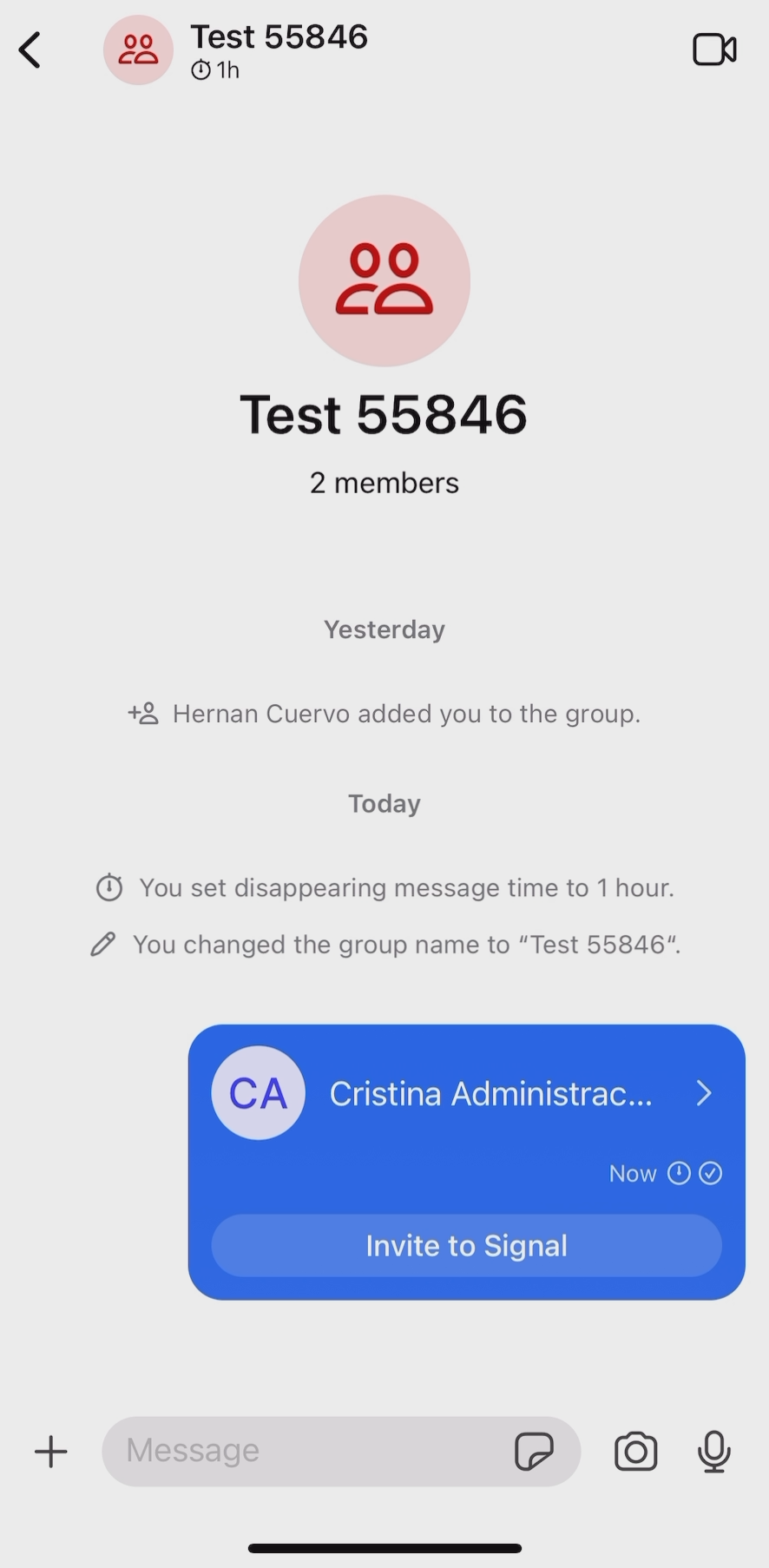 This screenshot has width=769, height=1568. Describe the element at coordinates (639, 1455) in the screenshot. I see `camera` at that location.